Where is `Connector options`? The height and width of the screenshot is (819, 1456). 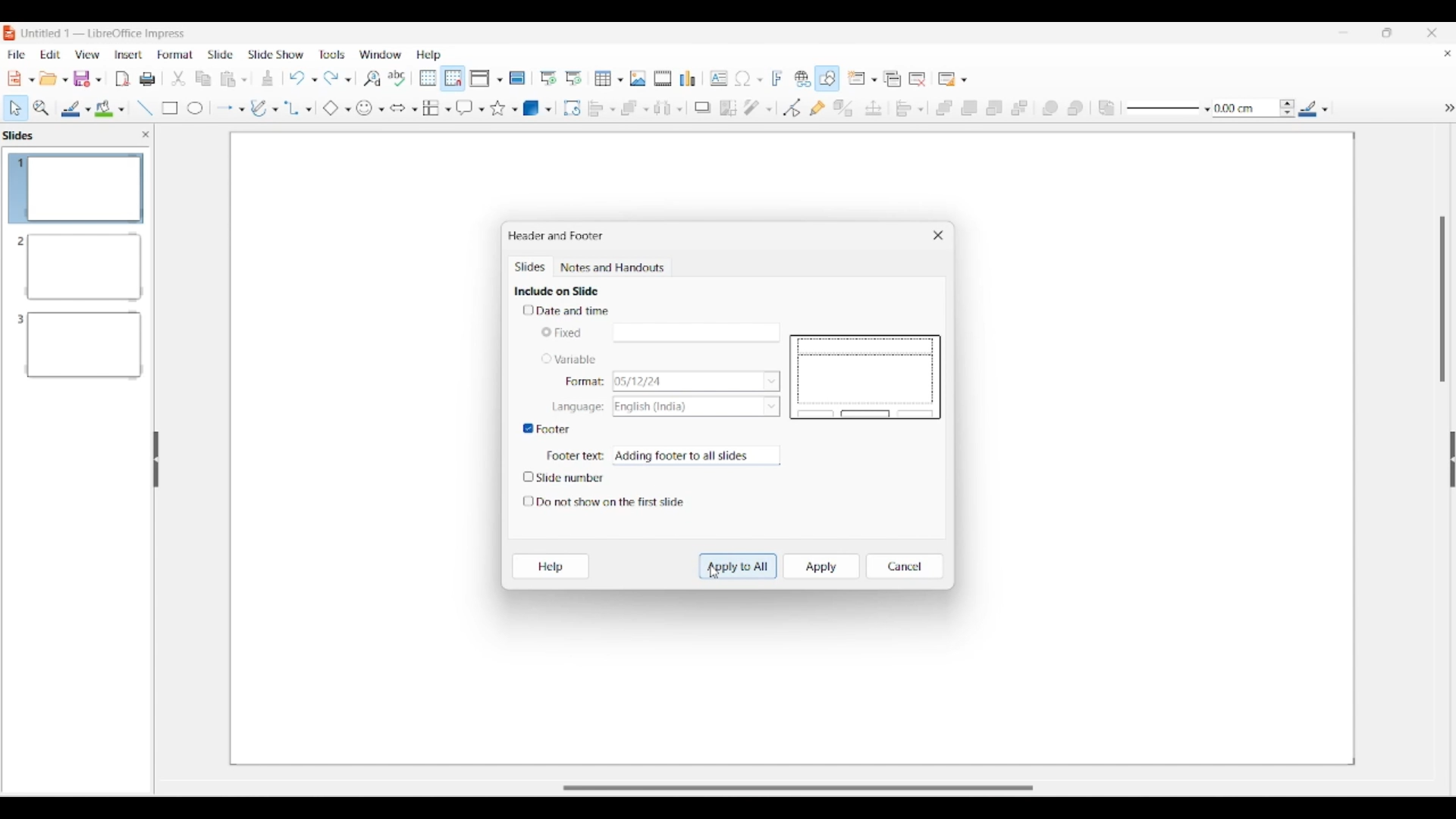 Connector options is located at coordinates (298, 108).